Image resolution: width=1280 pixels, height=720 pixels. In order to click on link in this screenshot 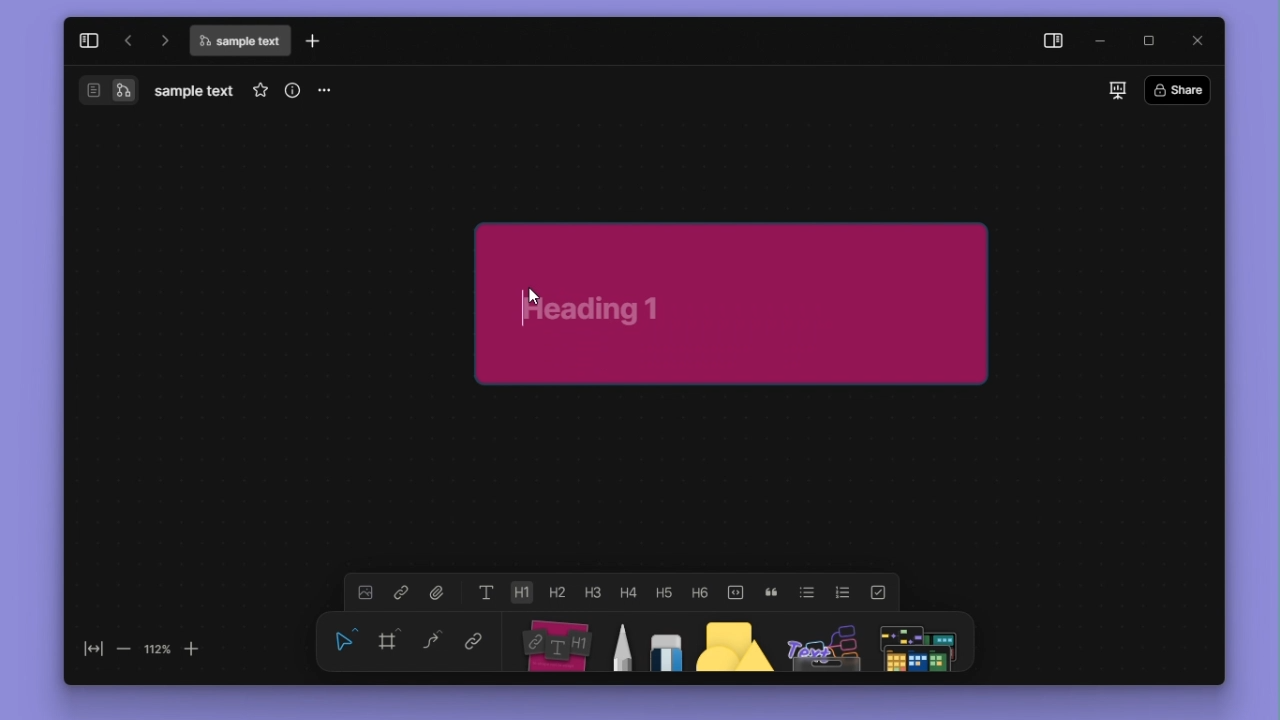, I will do `click(474, 639)`.